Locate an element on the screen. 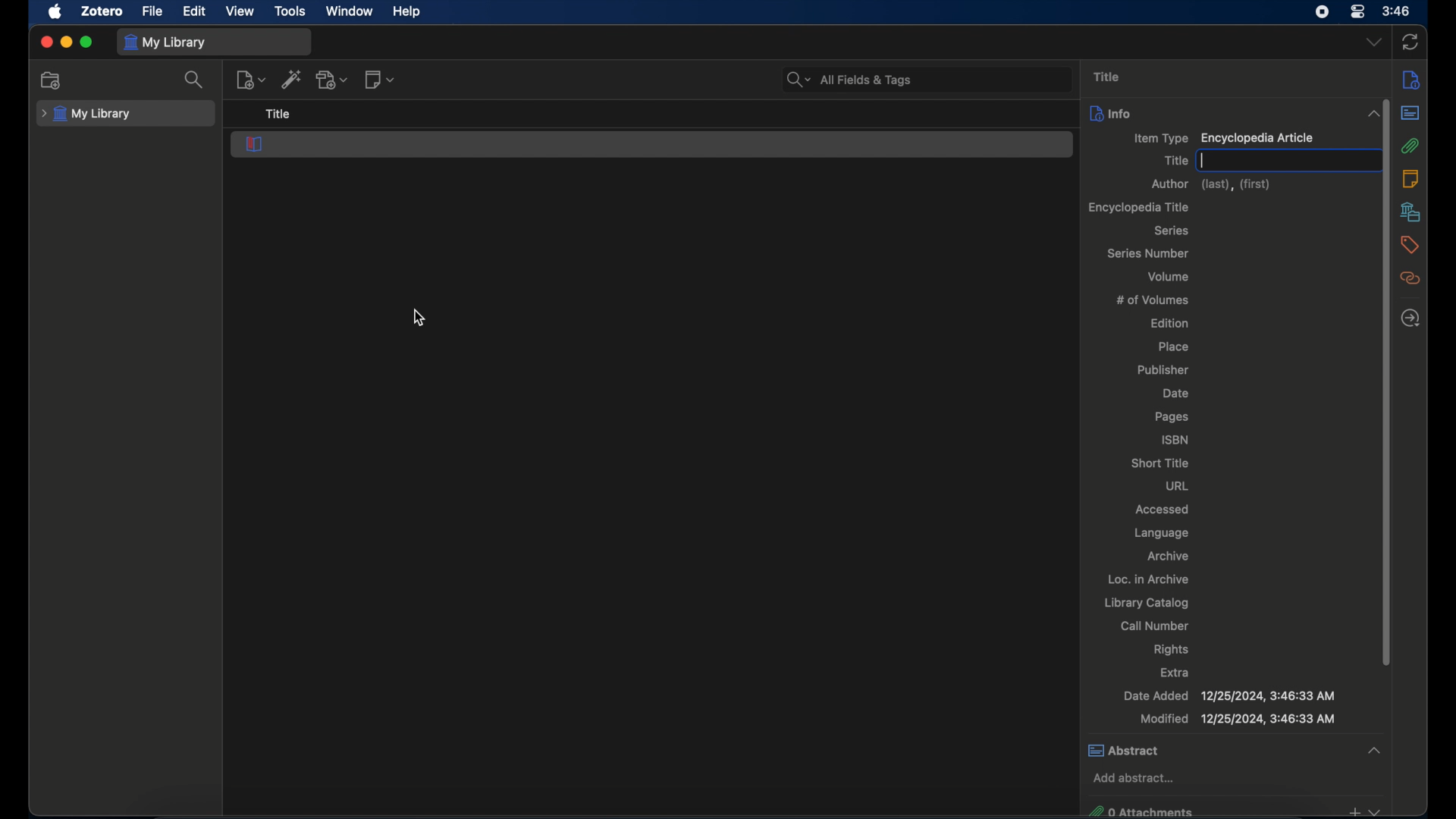 This screenshot has width=1456, height=819. notes is located at coordinates (1410, 177).